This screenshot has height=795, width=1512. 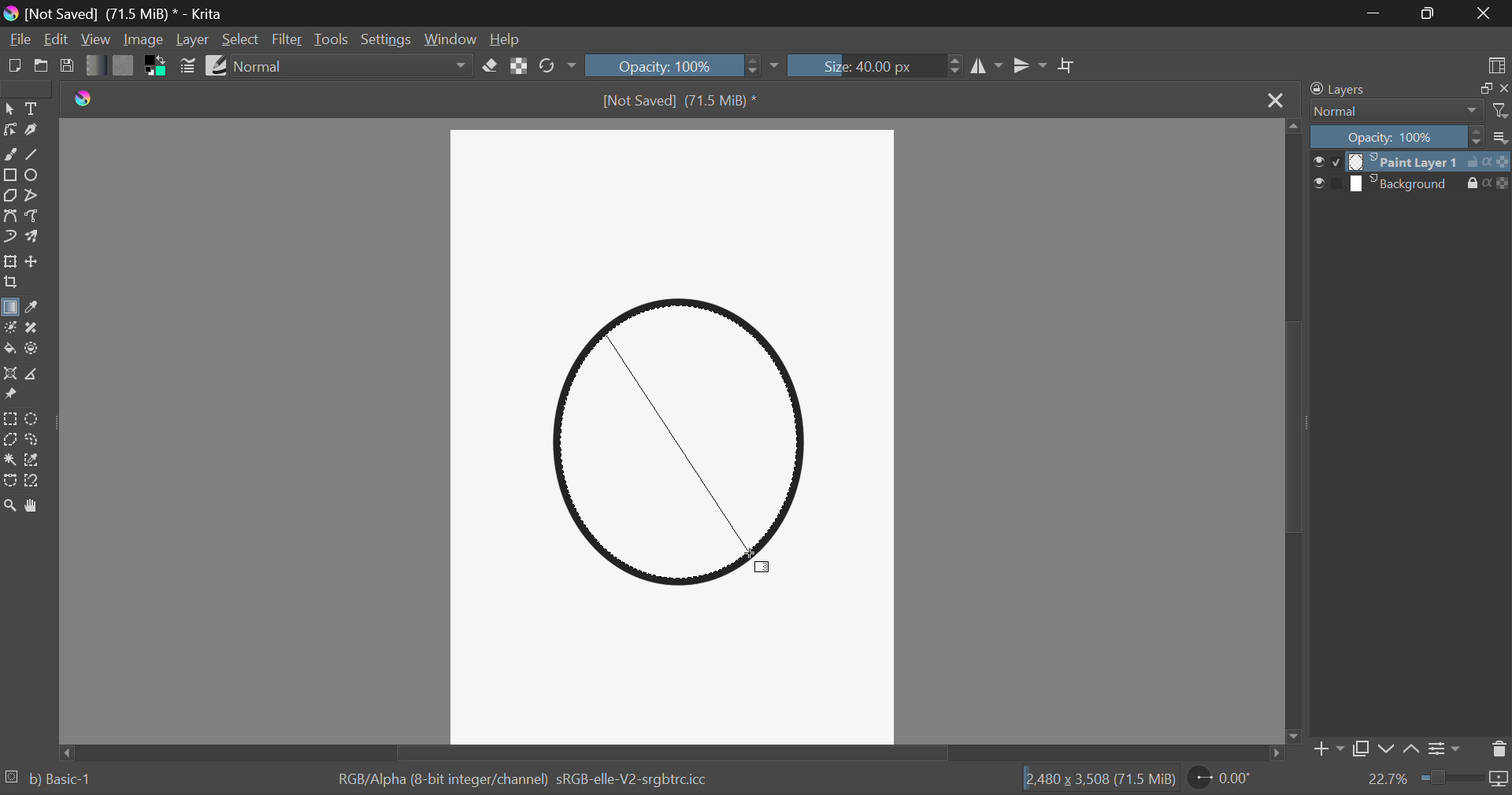 What do you see at coordinates (34, 133) in the screenshot?
I see `Calligraphic Tool` at bounding box center [34, 133].